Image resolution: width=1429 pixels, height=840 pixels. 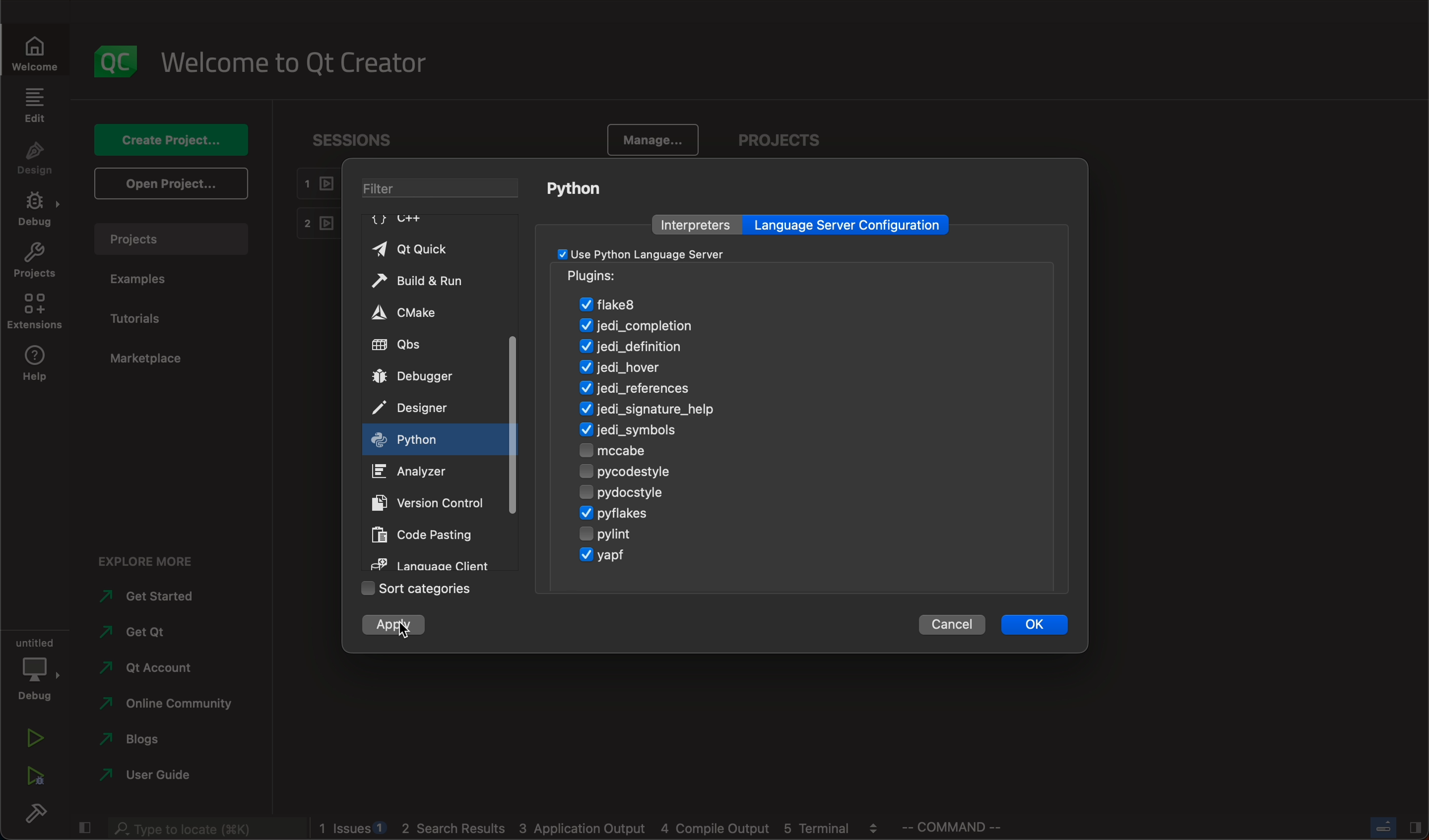 What do you see at coordinates (171, 239) in the screenshot?
I see `projects` at bounding box center [171, 239].